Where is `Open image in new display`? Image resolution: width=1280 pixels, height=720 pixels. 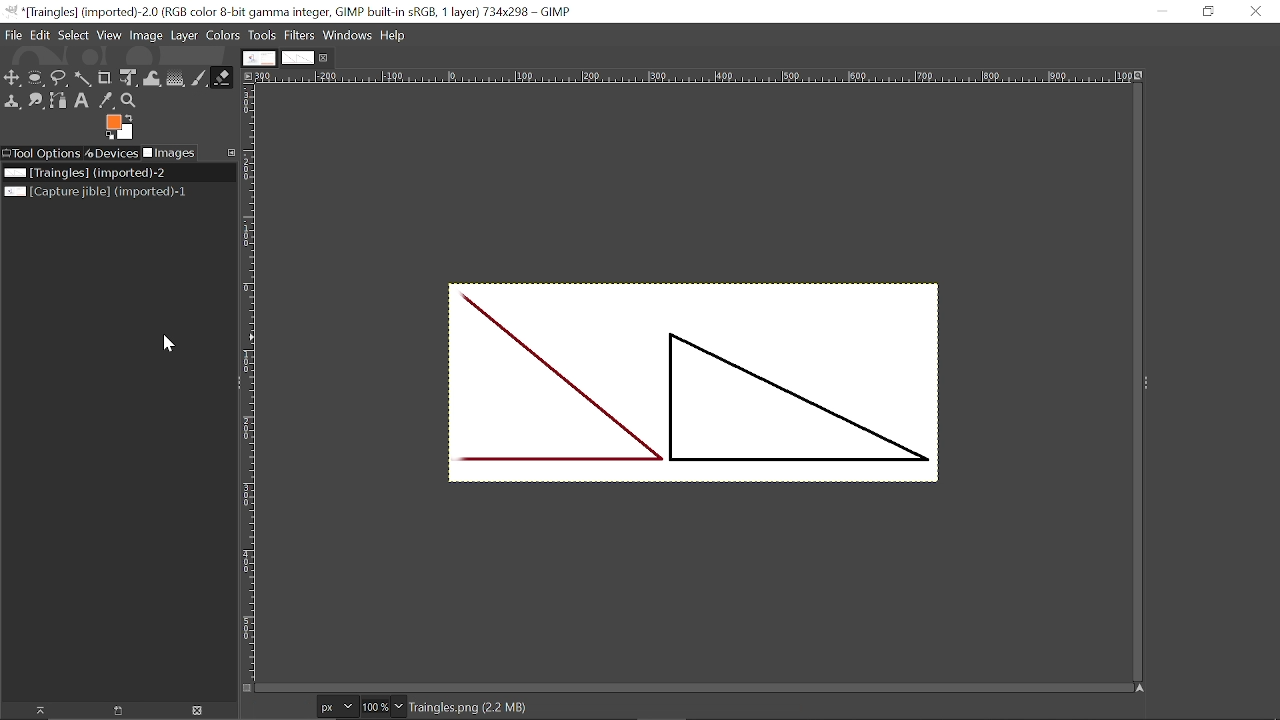 Open image in new display is located at coordinates (115, 711).